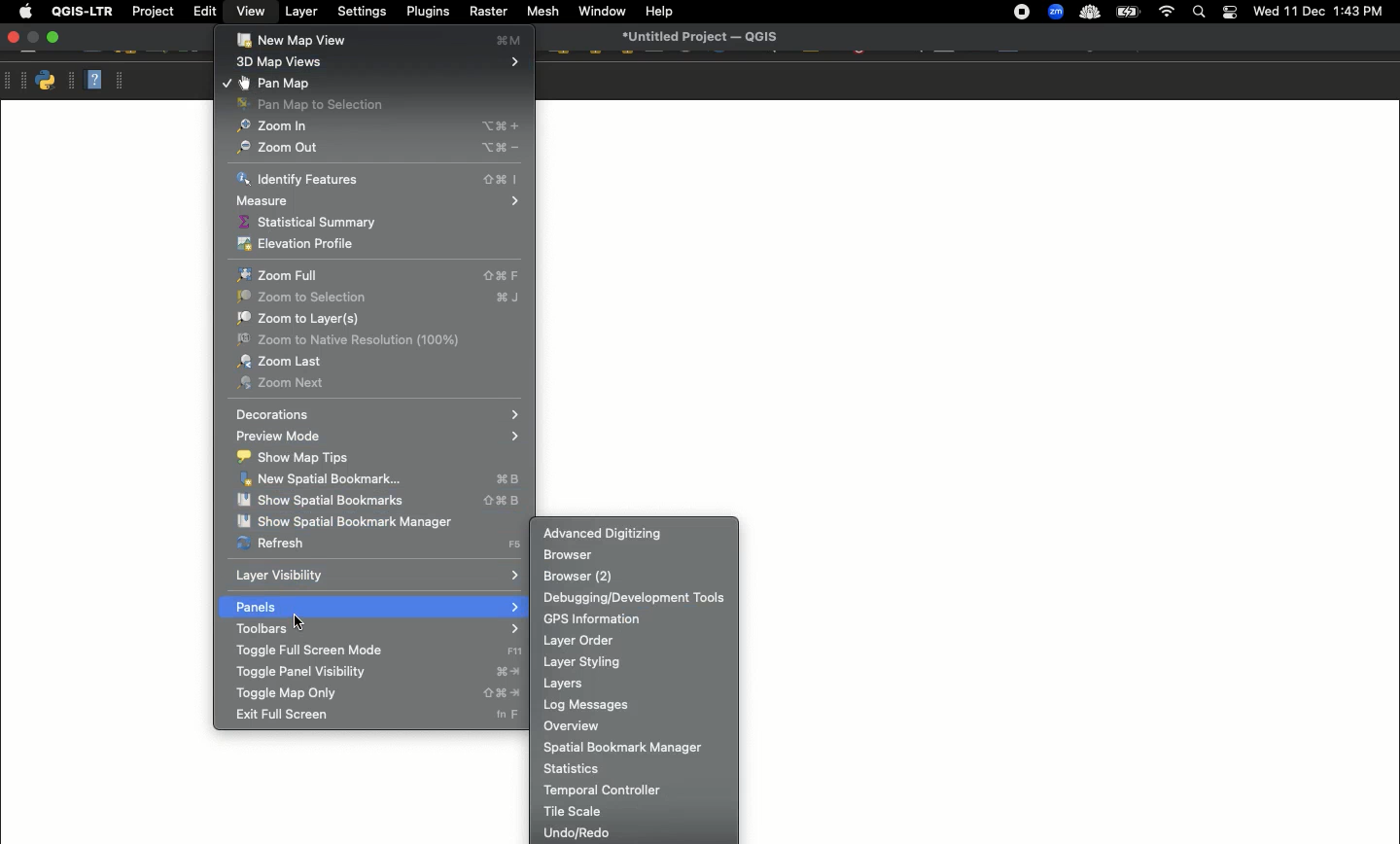  I want to click on Window, so click(602, 11).